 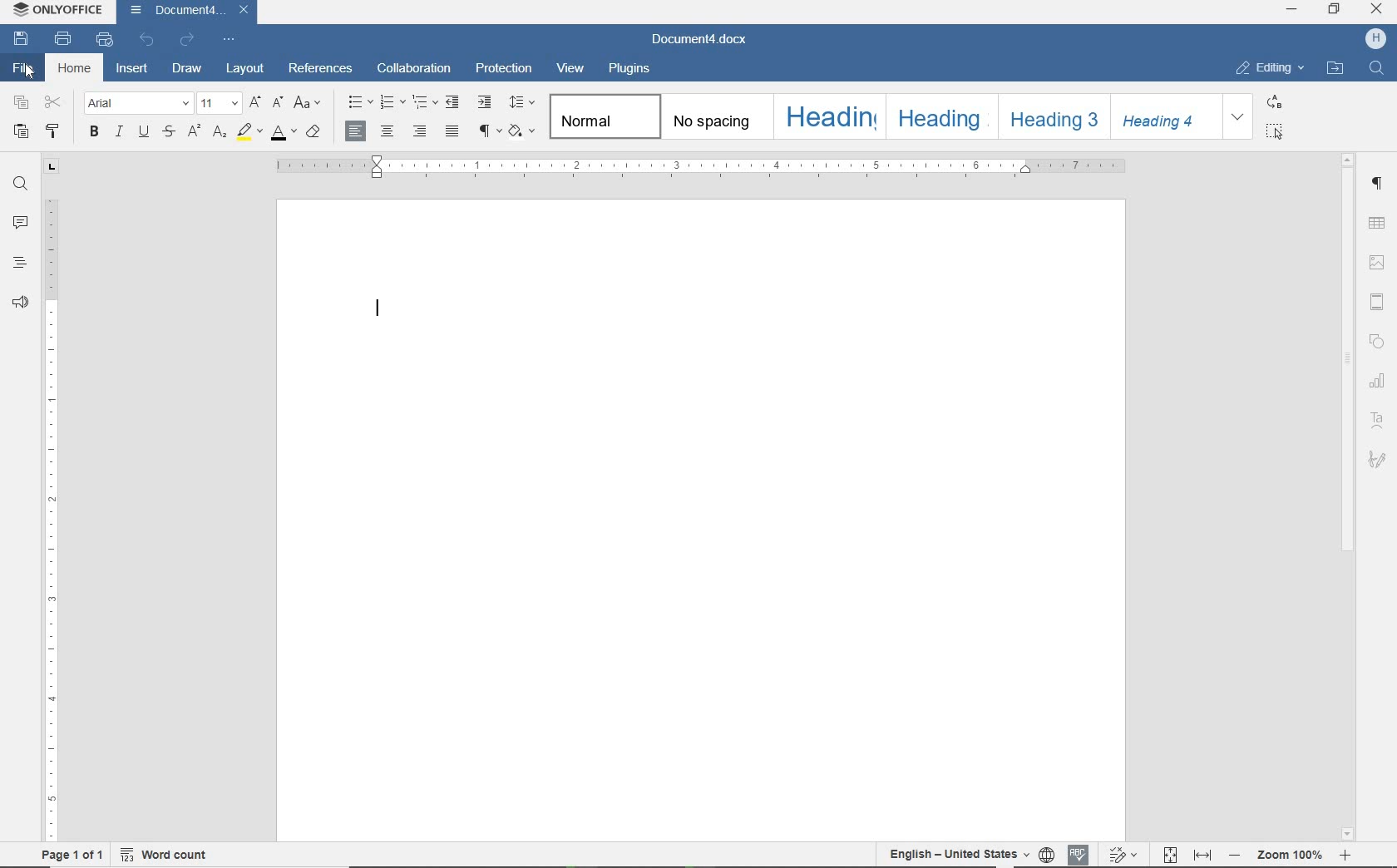 I want to click on print file, so click(x=64, y=40).